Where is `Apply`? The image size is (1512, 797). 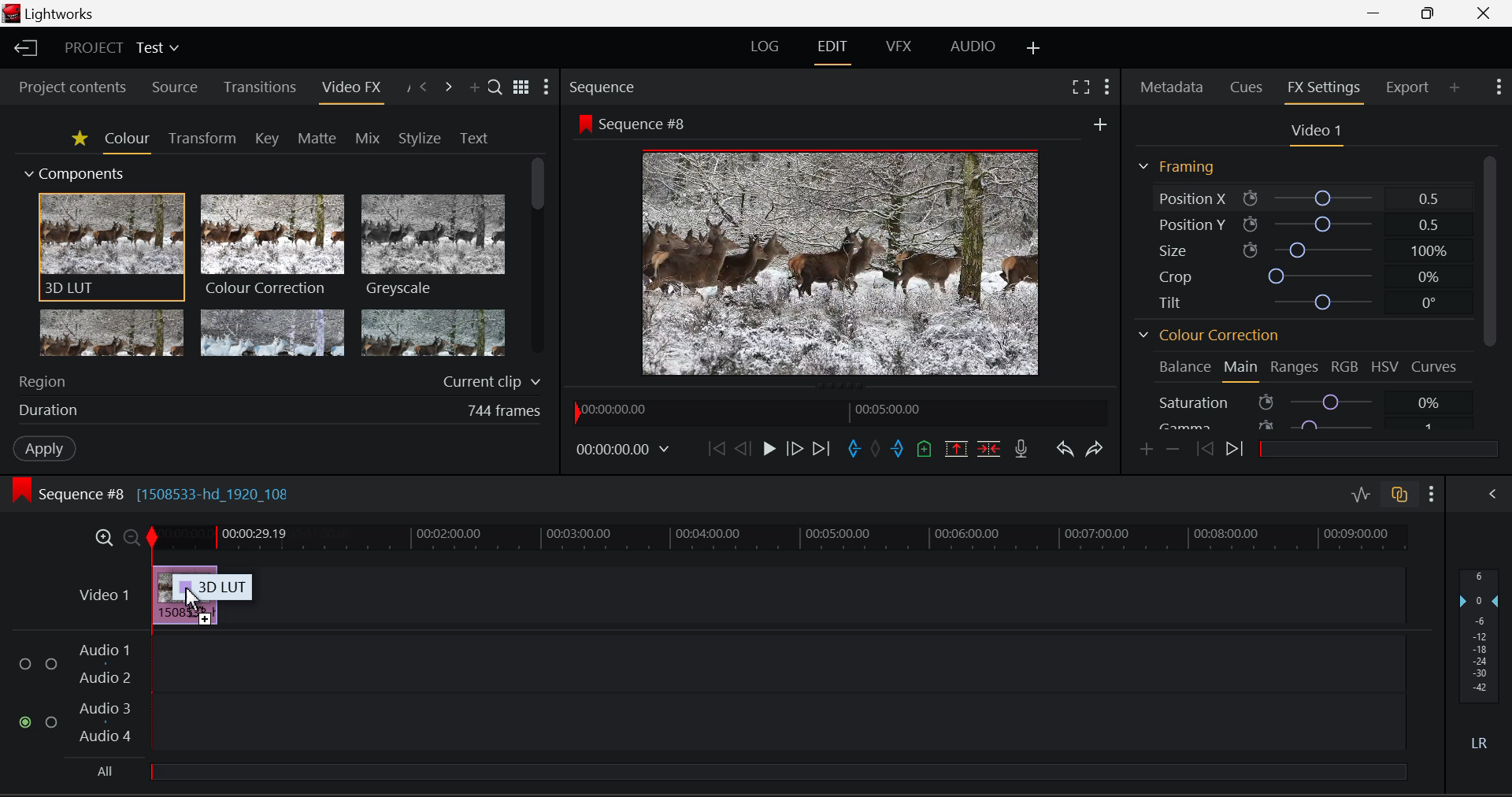 Apply is located at coordinates (42, 449).